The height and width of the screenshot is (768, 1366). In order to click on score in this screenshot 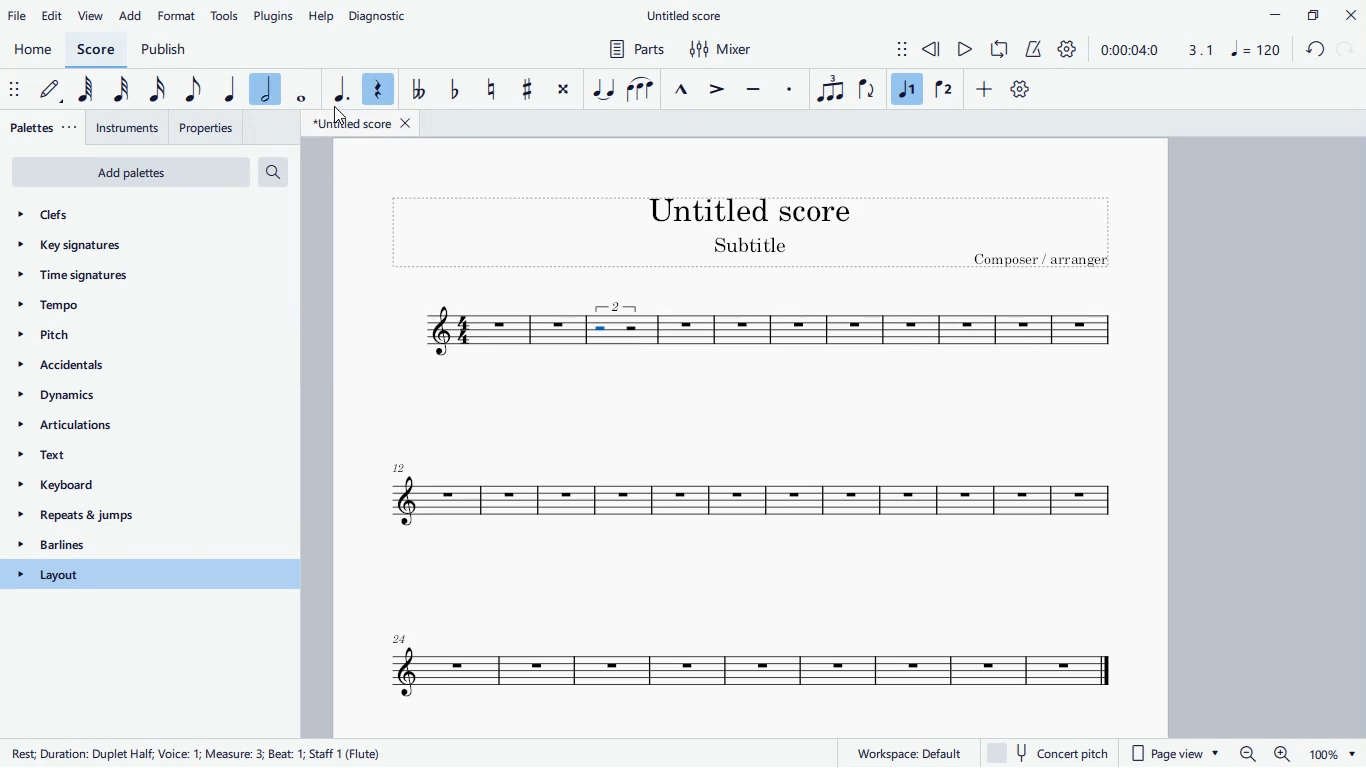, I will do `click(735, 668)`.